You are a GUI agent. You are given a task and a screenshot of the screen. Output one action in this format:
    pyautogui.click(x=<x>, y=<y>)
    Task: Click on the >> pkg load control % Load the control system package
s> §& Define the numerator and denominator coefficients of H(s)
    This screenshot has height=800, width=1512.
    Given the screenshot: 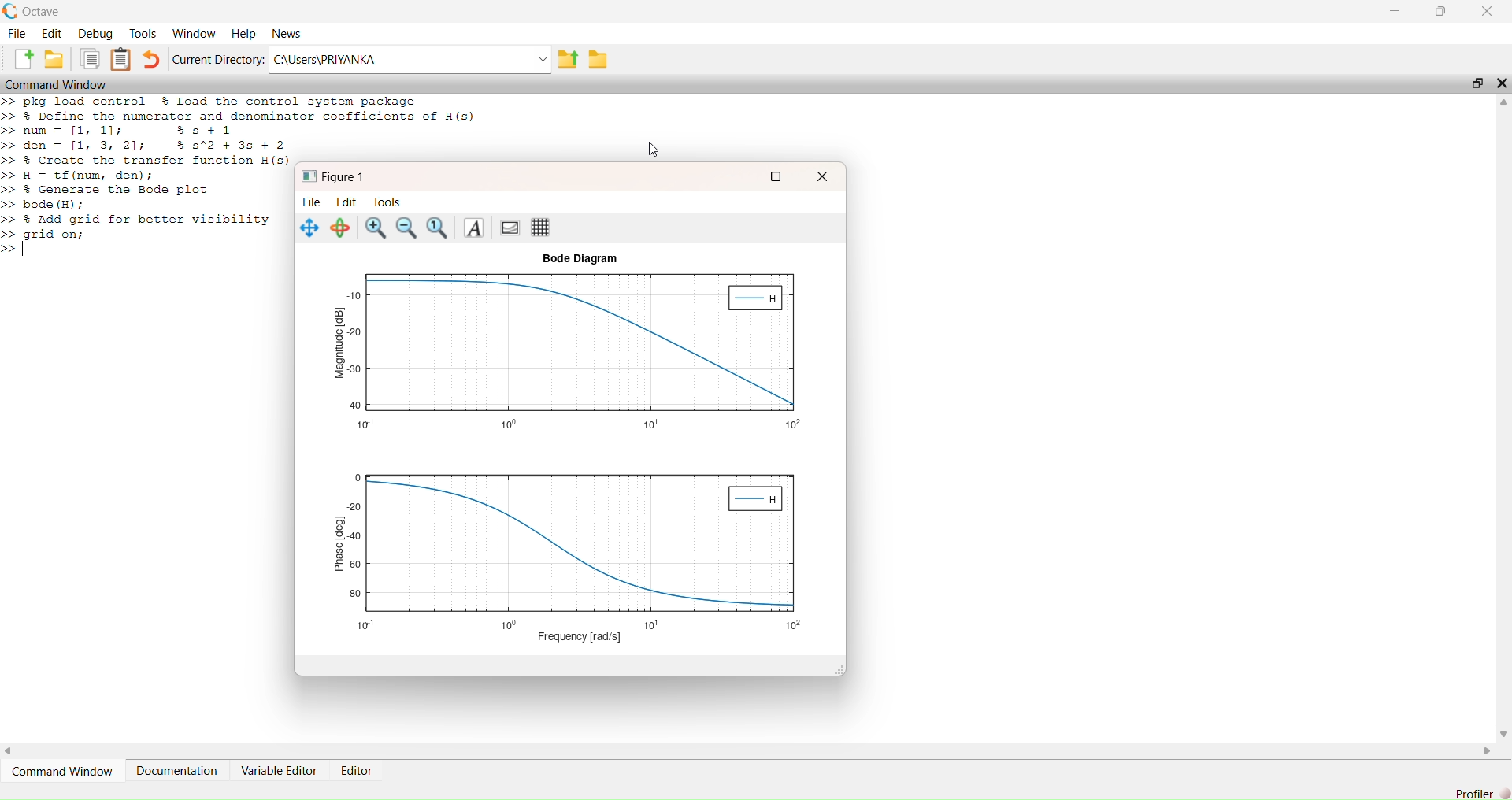 What is the action you would take?
    pyautogui.click(x=250, y=109)
    